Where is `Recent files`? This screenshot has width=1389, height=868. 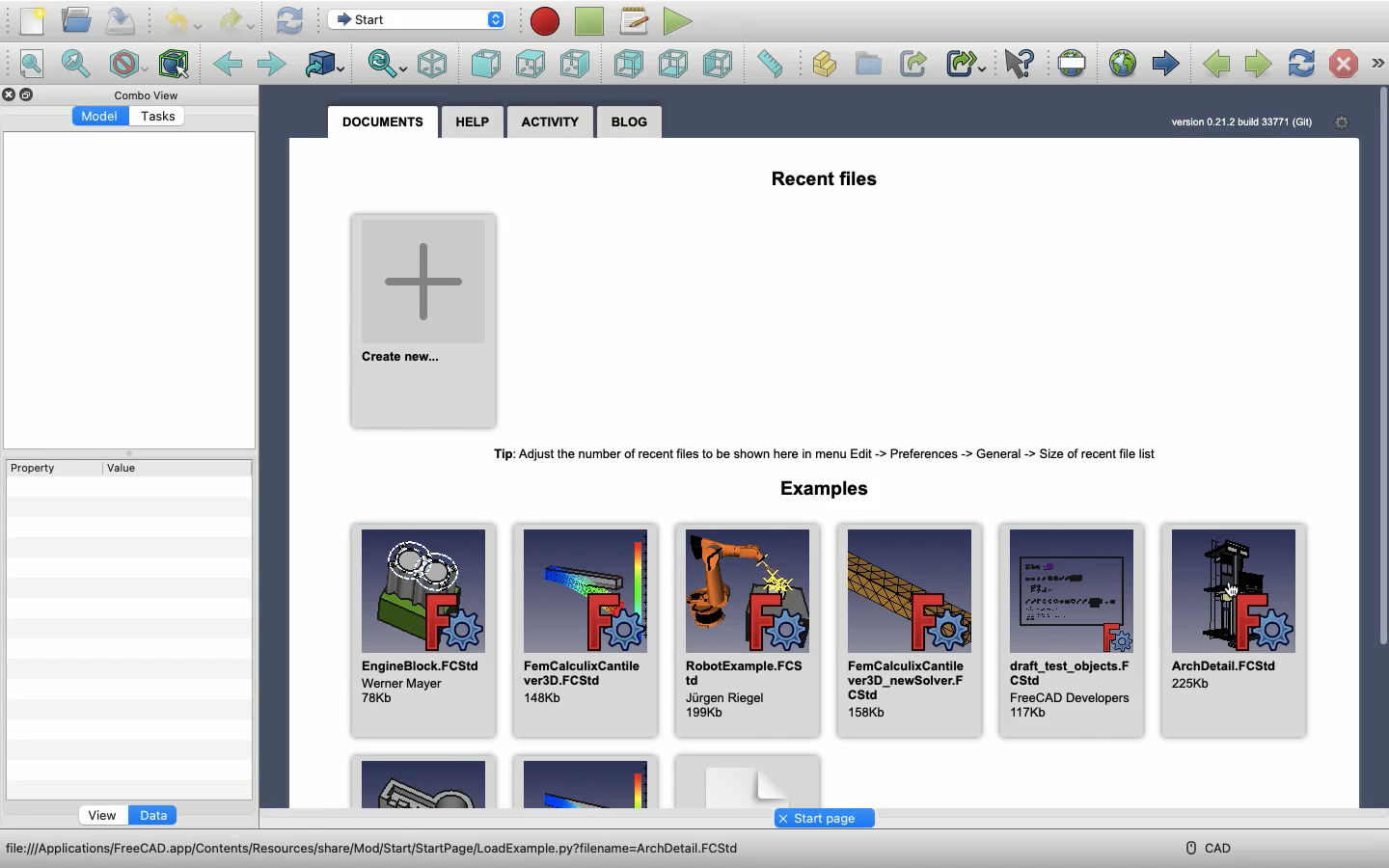
Recent files is located at coordinates (832, 181).